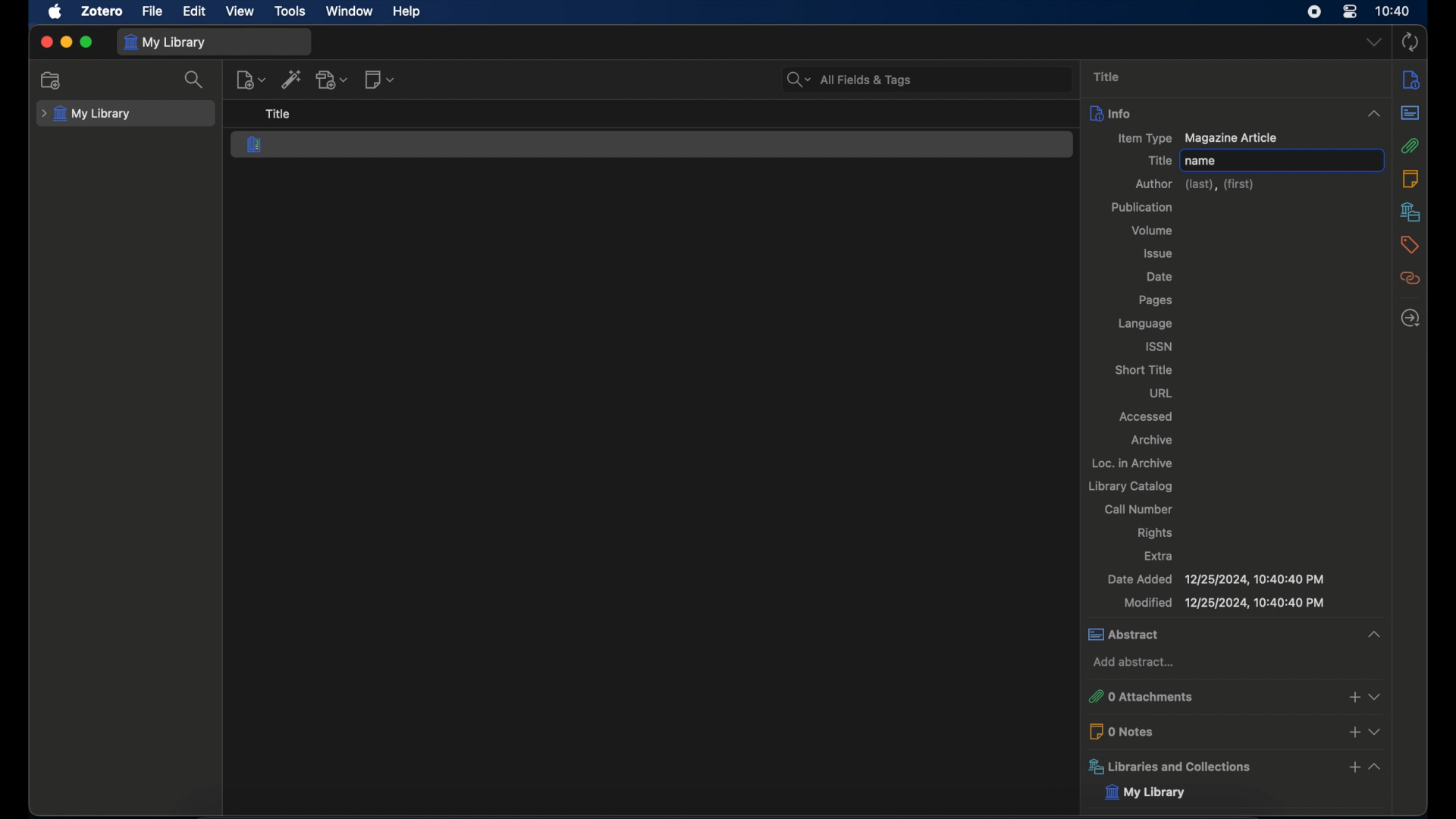 The width and height of the screenshot is (1456, 819). What do you see at coordinates (1373, 41) in the screenshot?
I see `dropdown` at bounding box center [1373, 41].